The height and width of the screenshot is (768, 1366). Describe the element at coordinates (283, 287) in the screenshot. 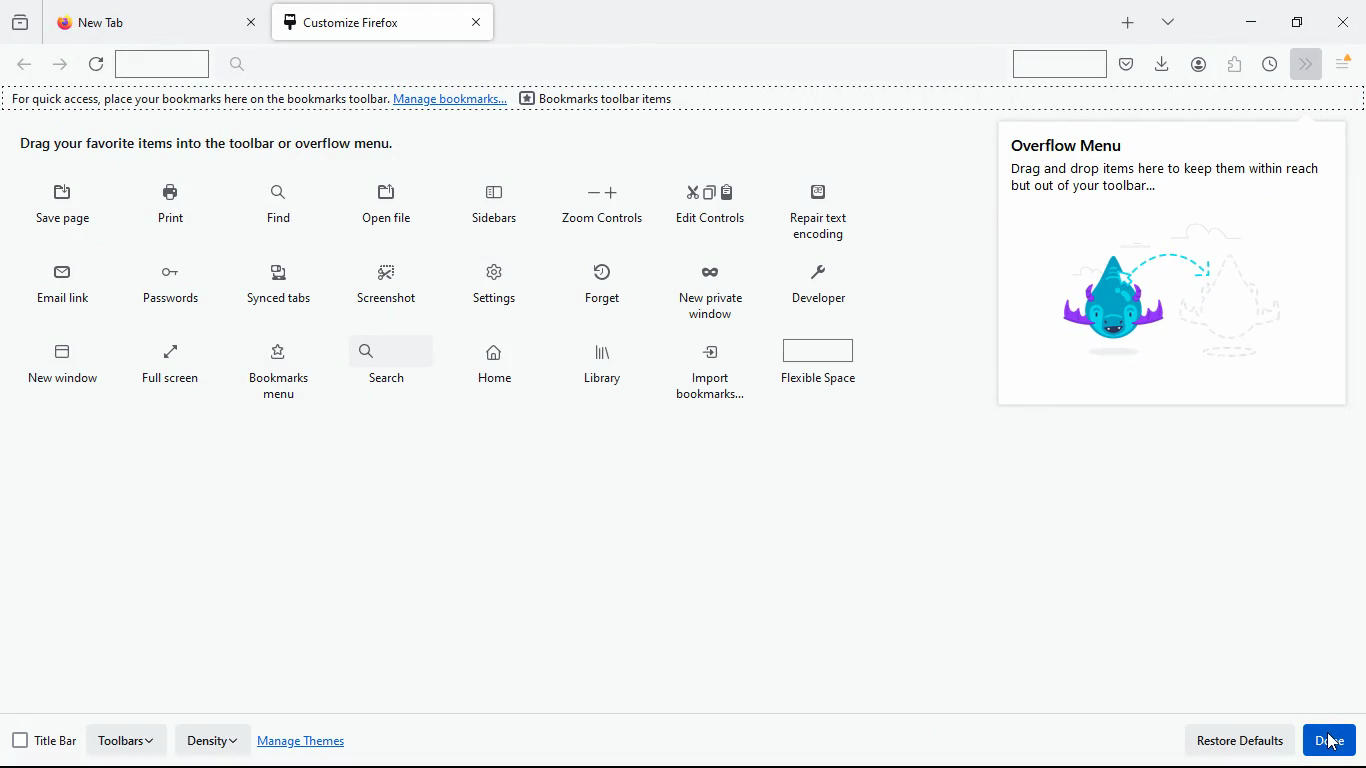

I see `passwords` at that location.